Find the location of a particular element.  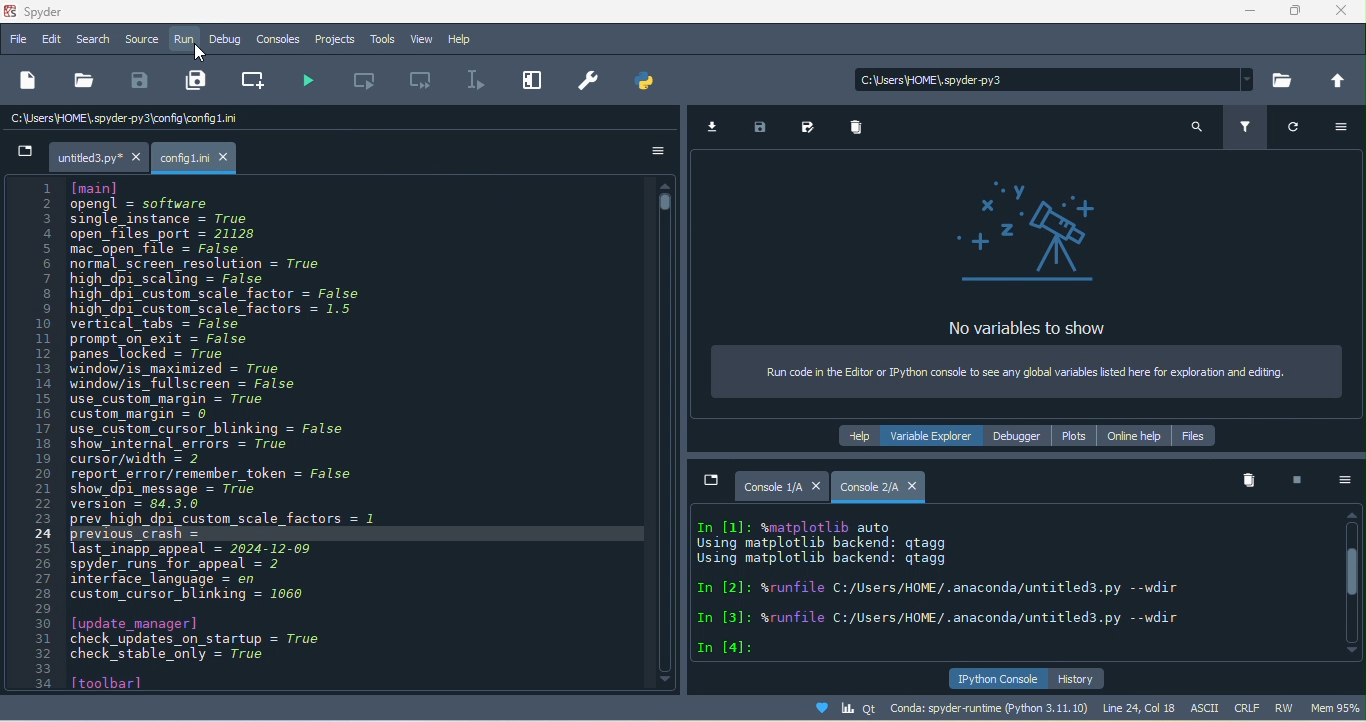

current new cel is located at coordinates (254, 79).